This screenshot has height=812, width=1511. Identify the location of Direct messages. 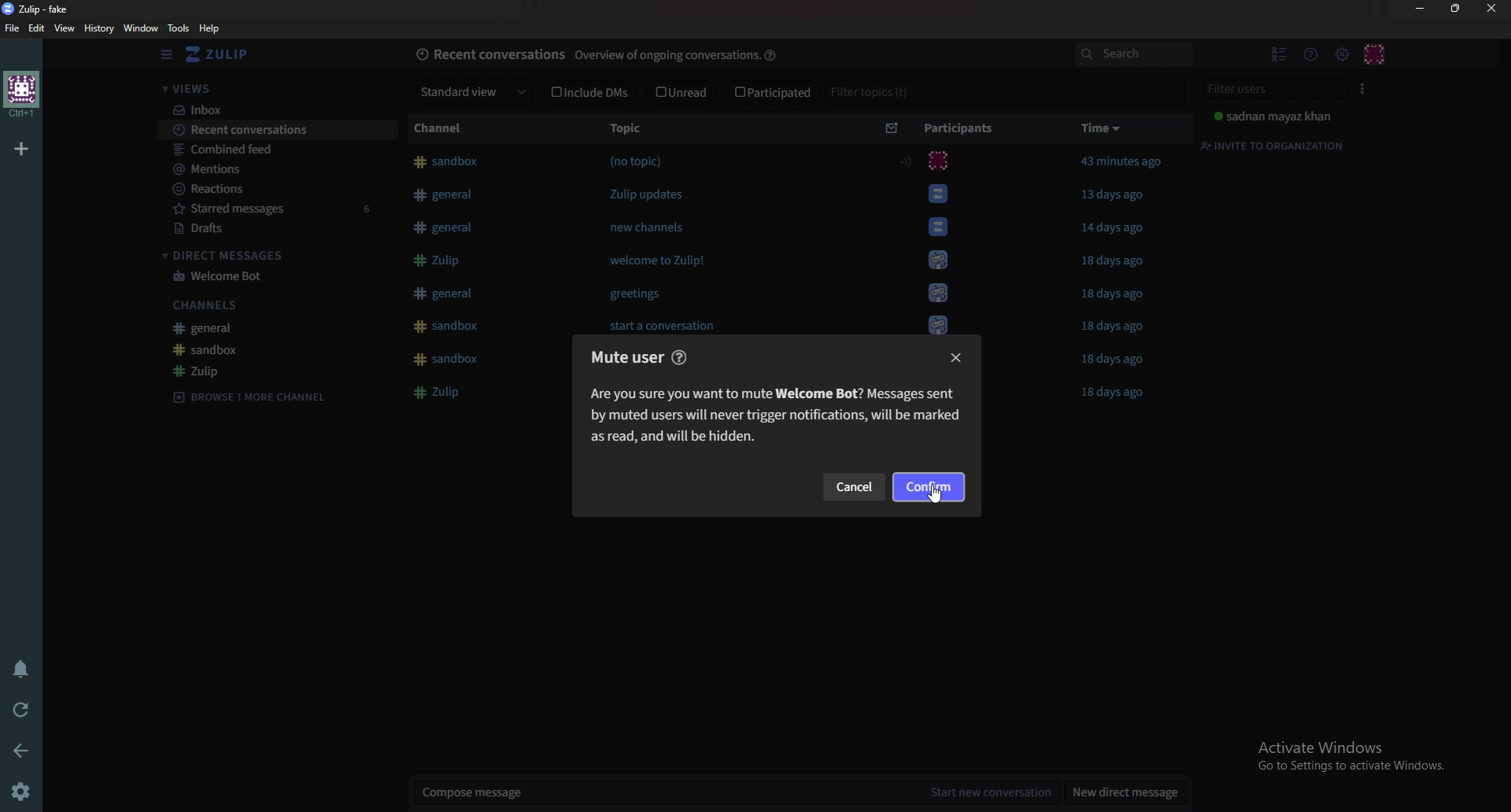
(274, 253).